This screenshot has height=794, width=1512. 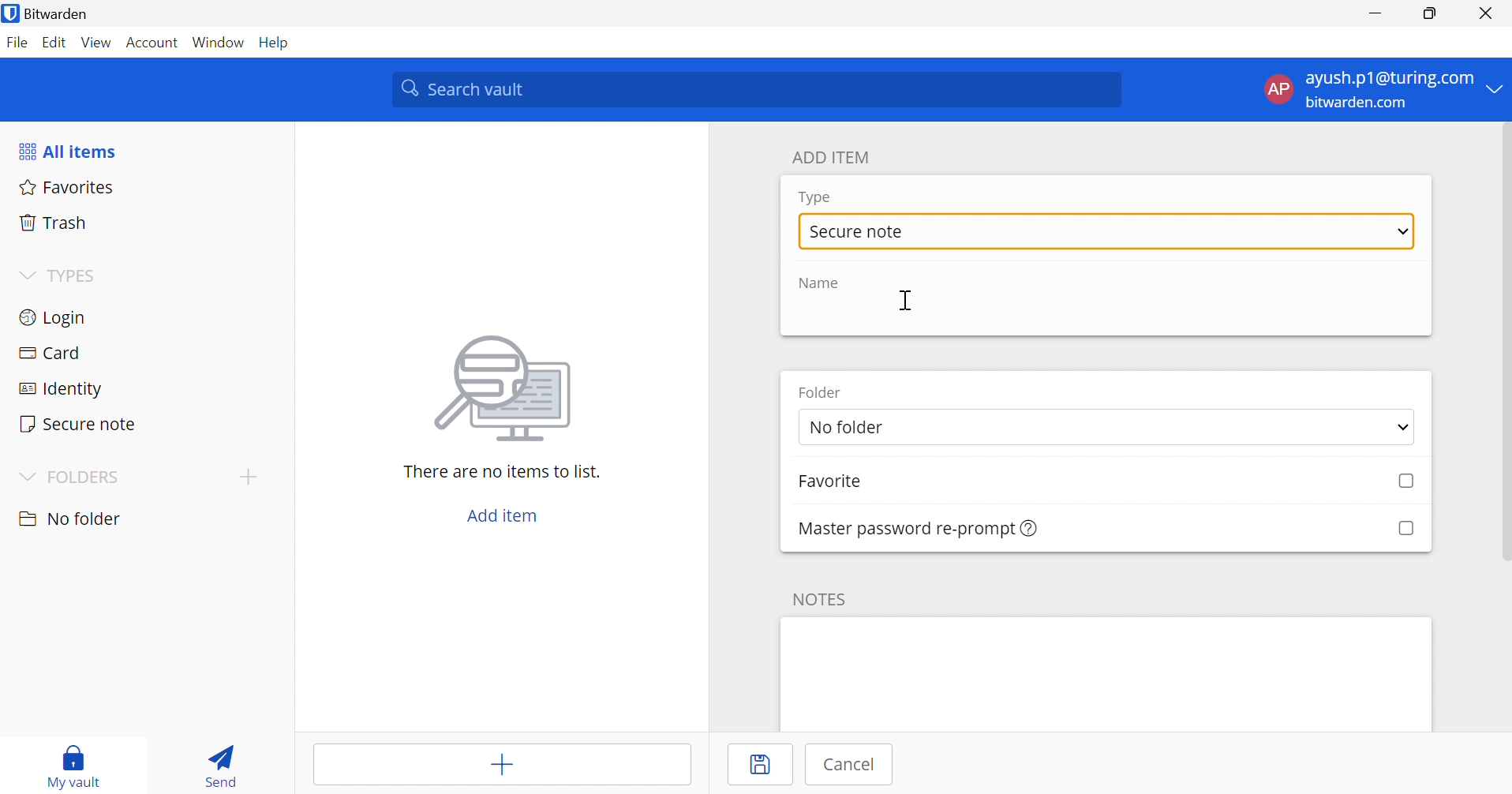 I want to click on Send, so click(x=219, y=769).